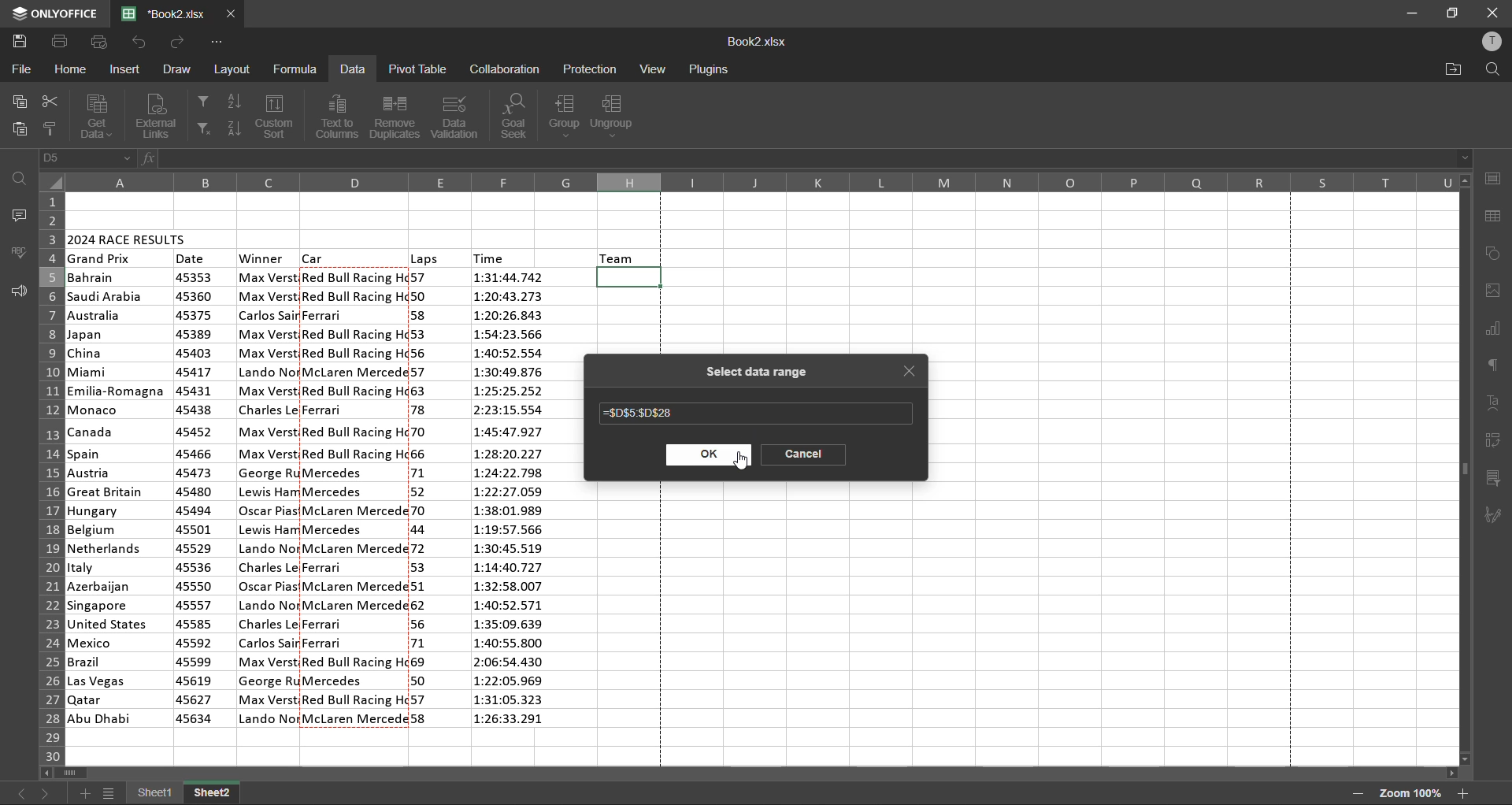 This screenshot has height=805, width=1512. Describe the element at coordinates (234, 103) in the screenshot. I see `sort ascending` at that location.